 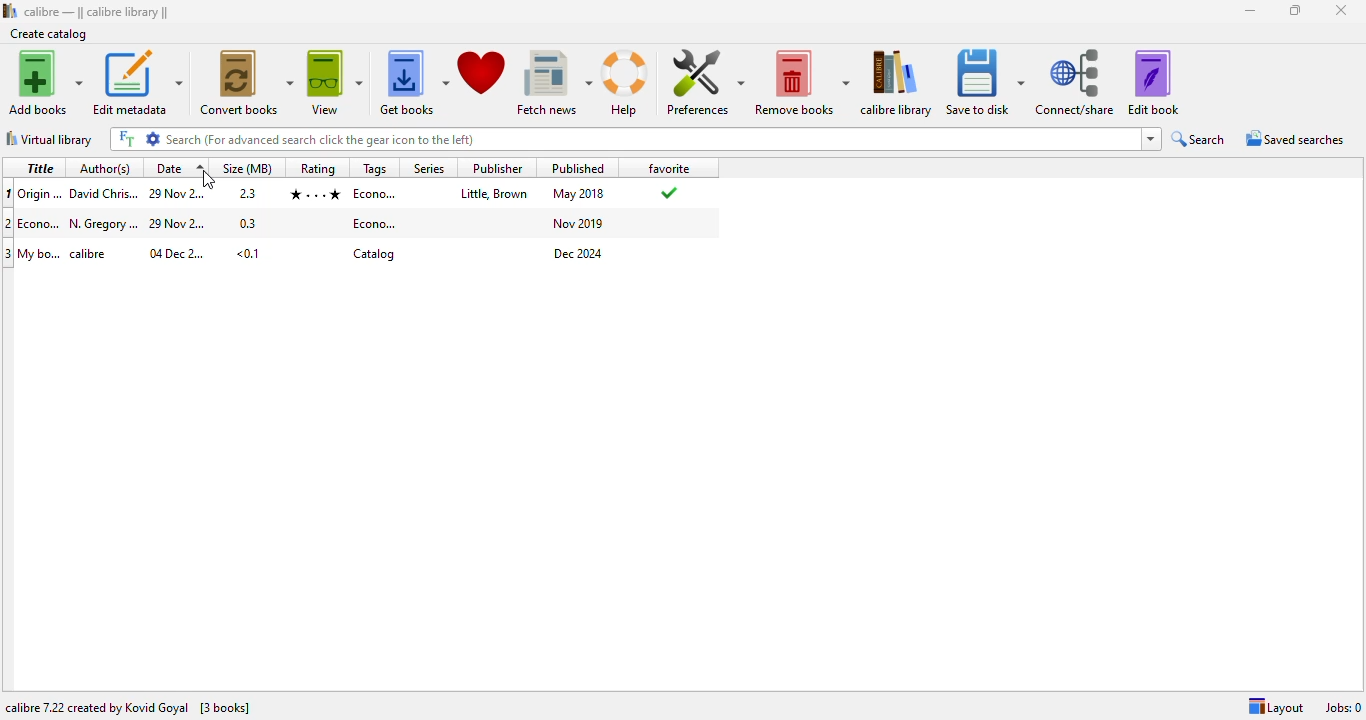 What do you see at coordinates (1251, 11) in the screenshot?
I see `minimize` at bounding box center [1251, 11].